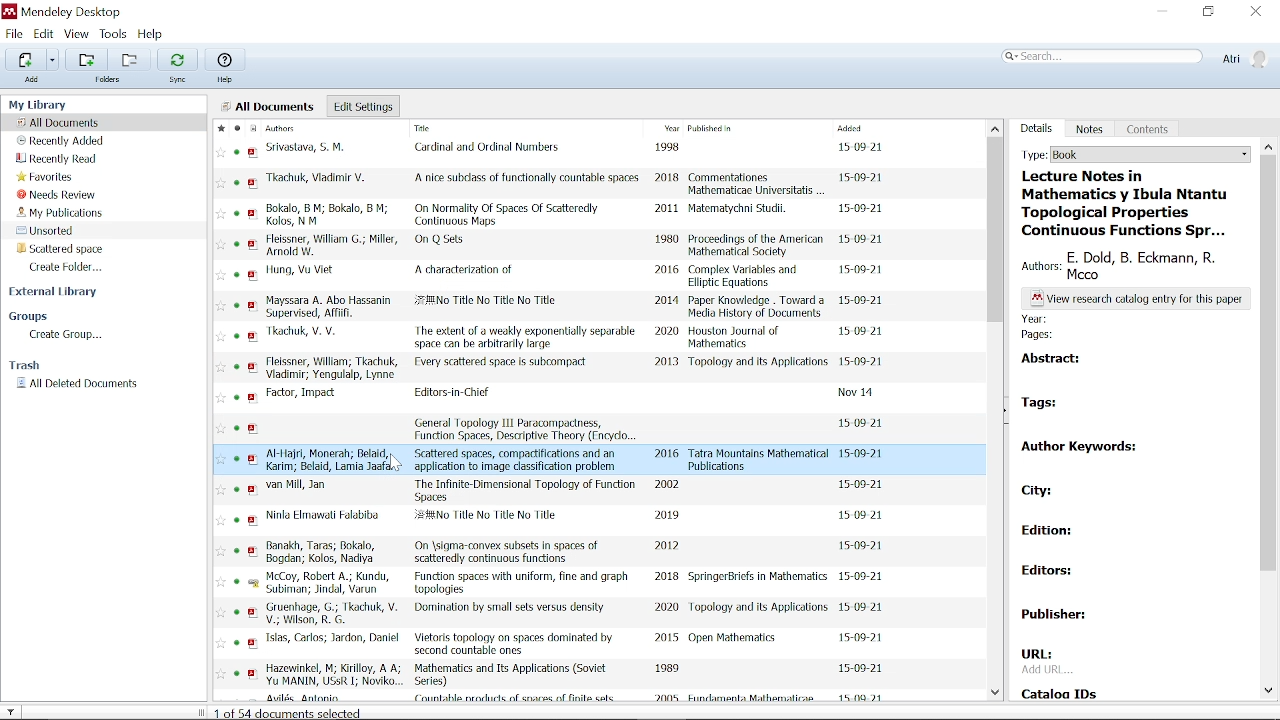 The height and width of the screenshot is (720, 1280). I want to click on 1989, so click(667, 669).